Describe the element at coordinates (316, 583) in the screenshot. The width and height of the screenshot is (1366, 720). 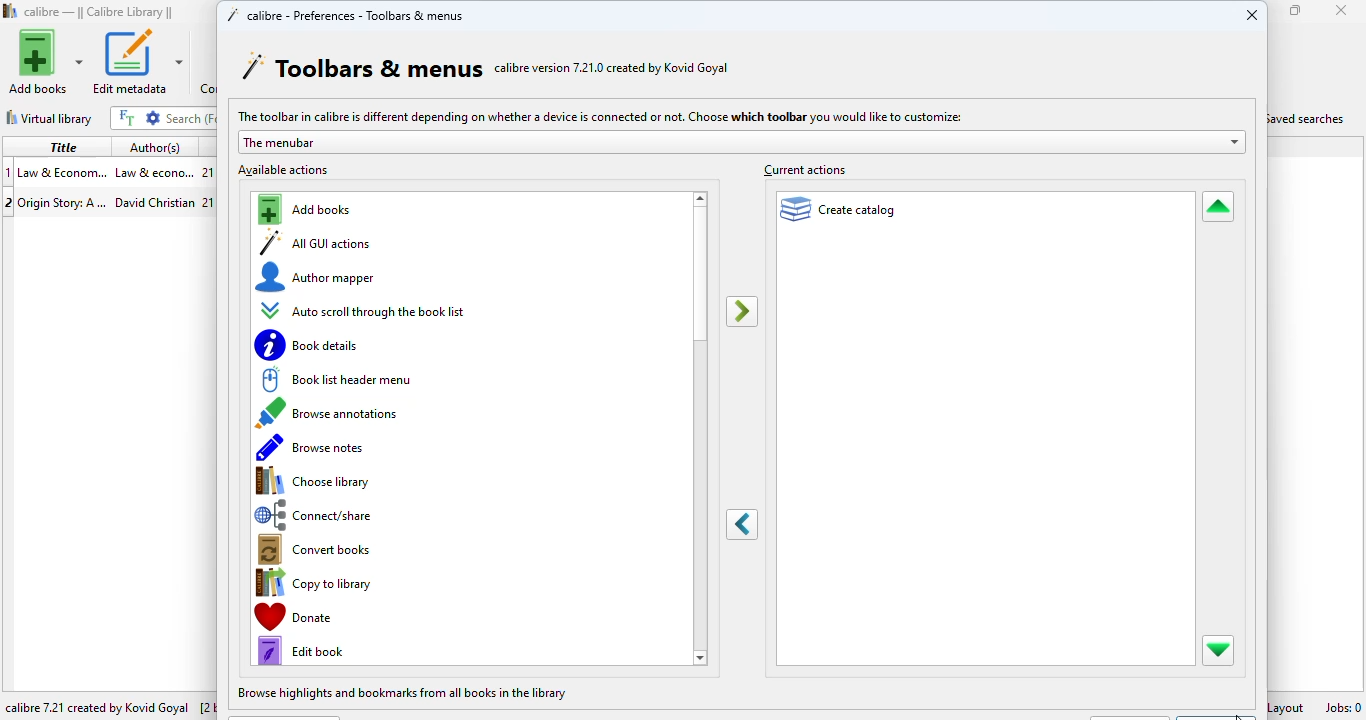
I see `copy to library` at that location.